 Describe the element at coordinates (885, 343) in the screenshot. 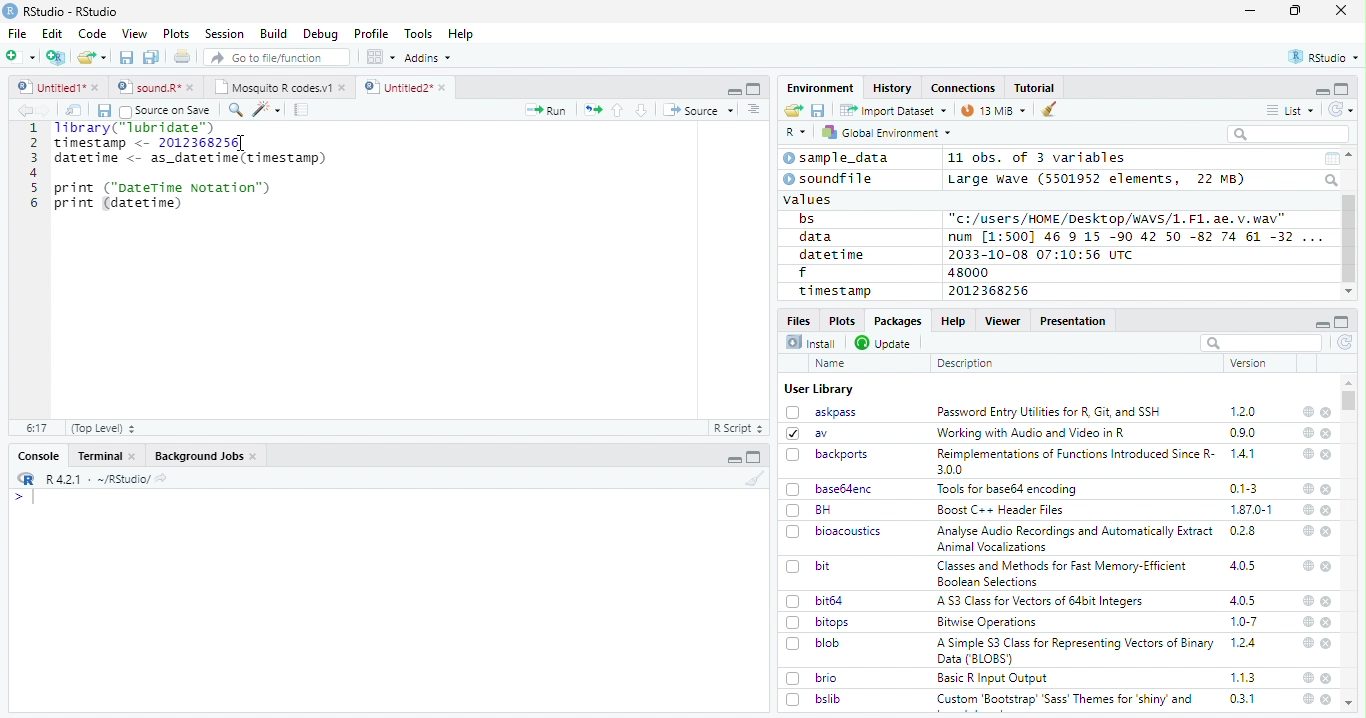

I see `Update` at that location.